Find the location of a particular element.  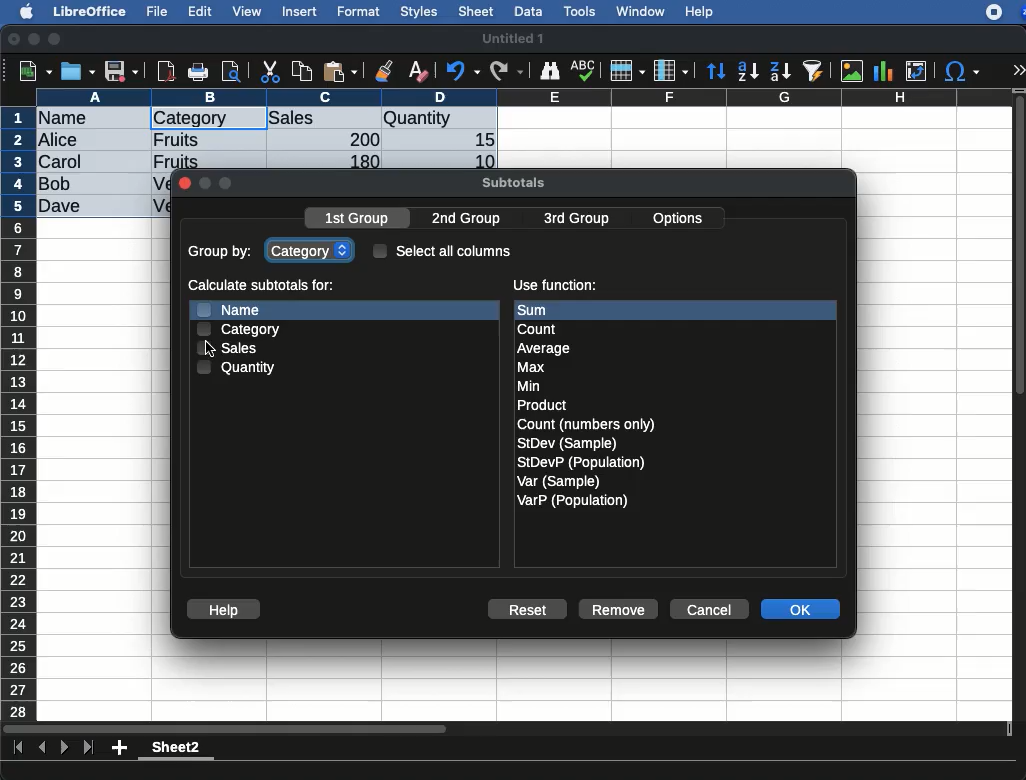

Product is located at coordinates (541, 406).